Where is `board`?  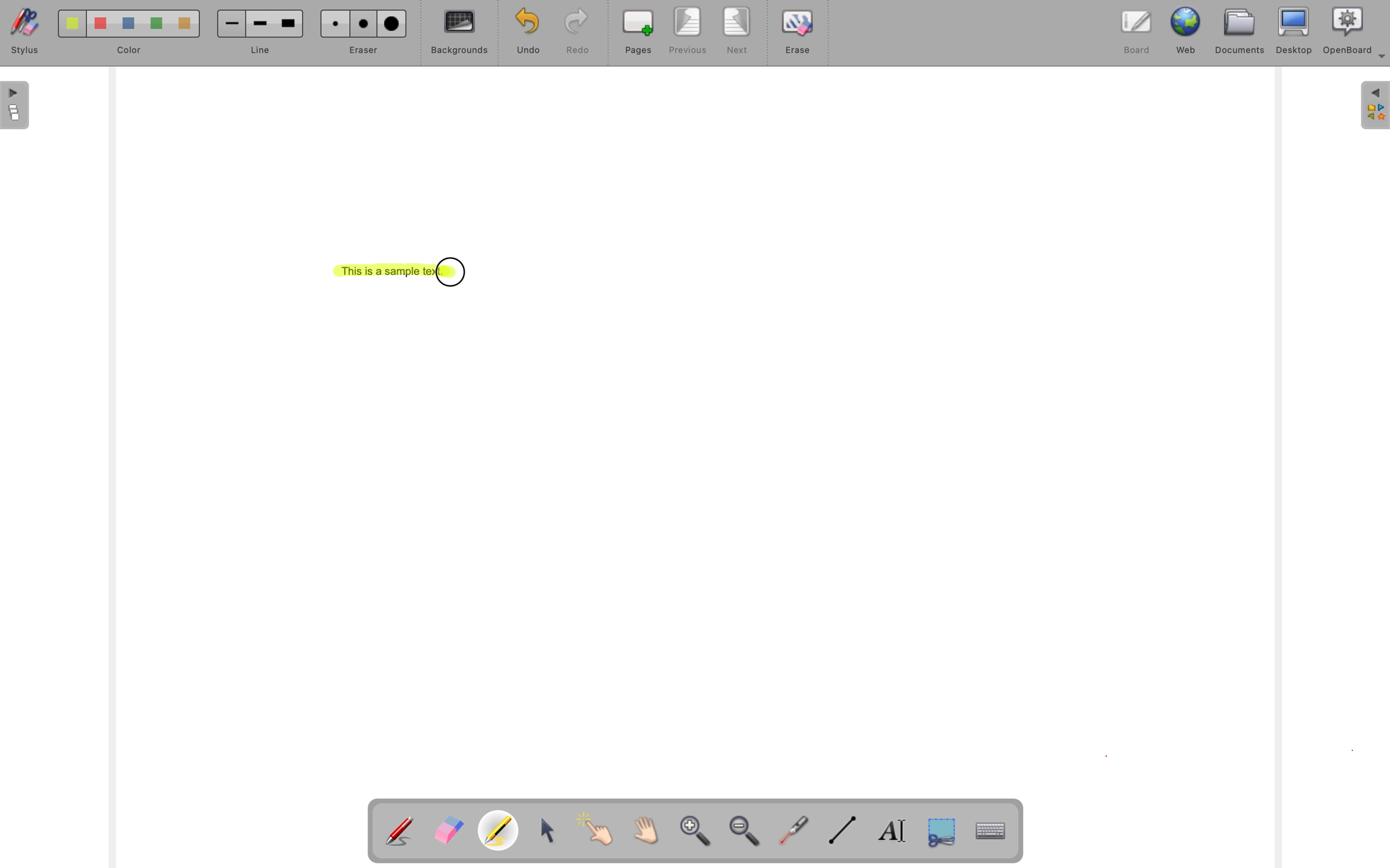 board is located at coordinates (1136, 32).